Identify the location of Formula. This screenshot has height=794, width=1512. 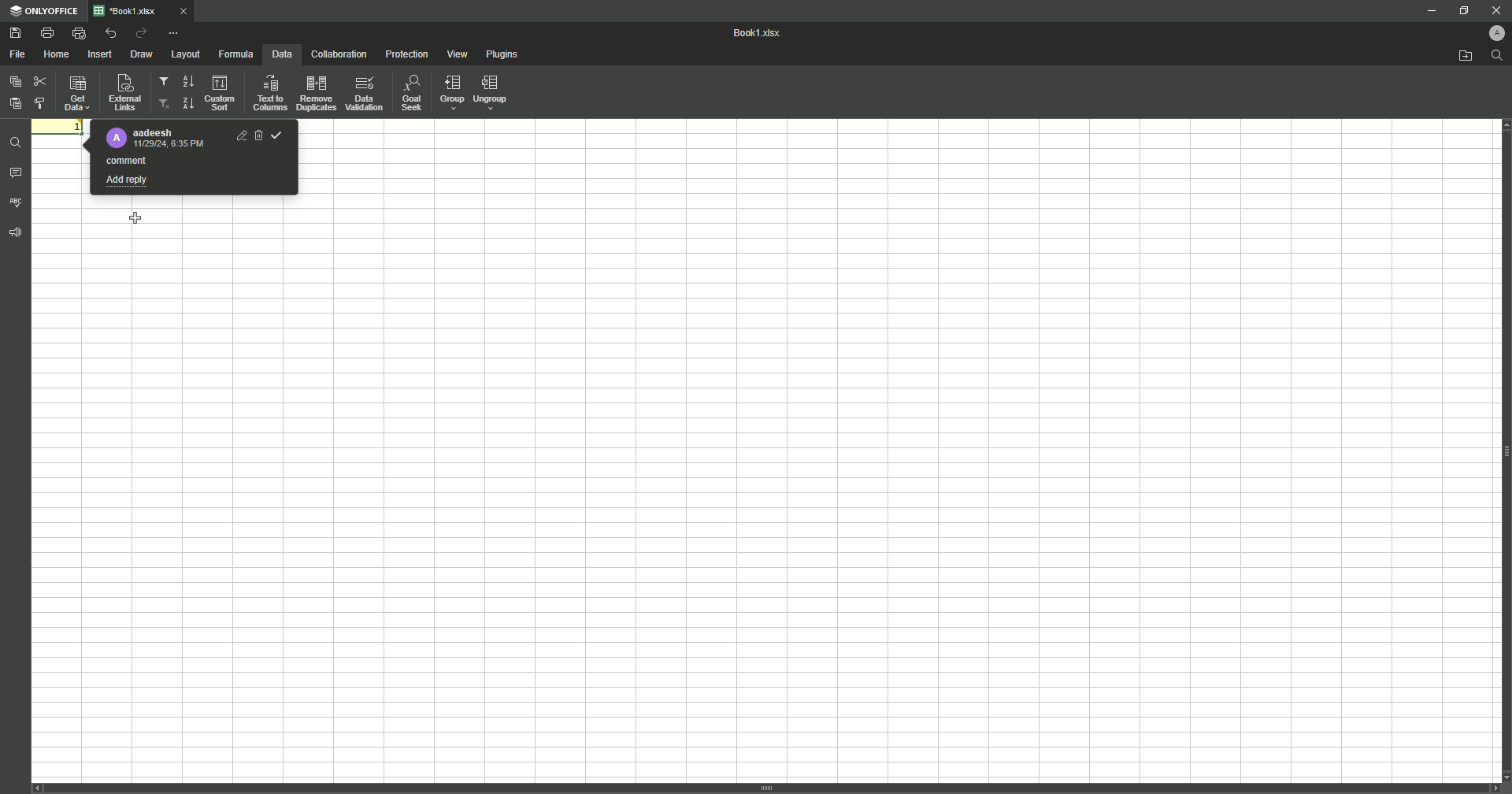
(234, 54).